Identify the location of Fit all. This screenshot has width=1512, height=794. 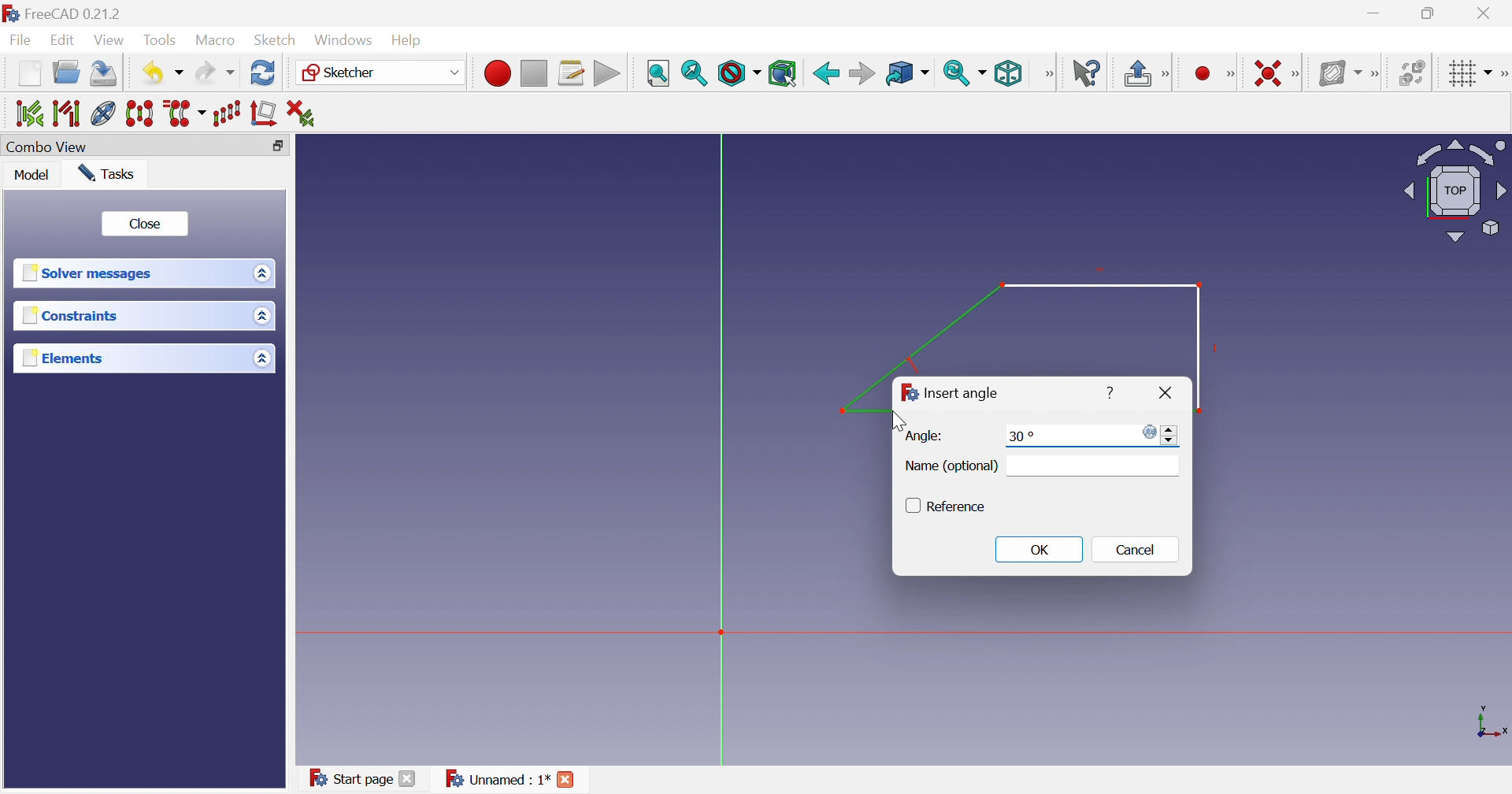
(658, 72).